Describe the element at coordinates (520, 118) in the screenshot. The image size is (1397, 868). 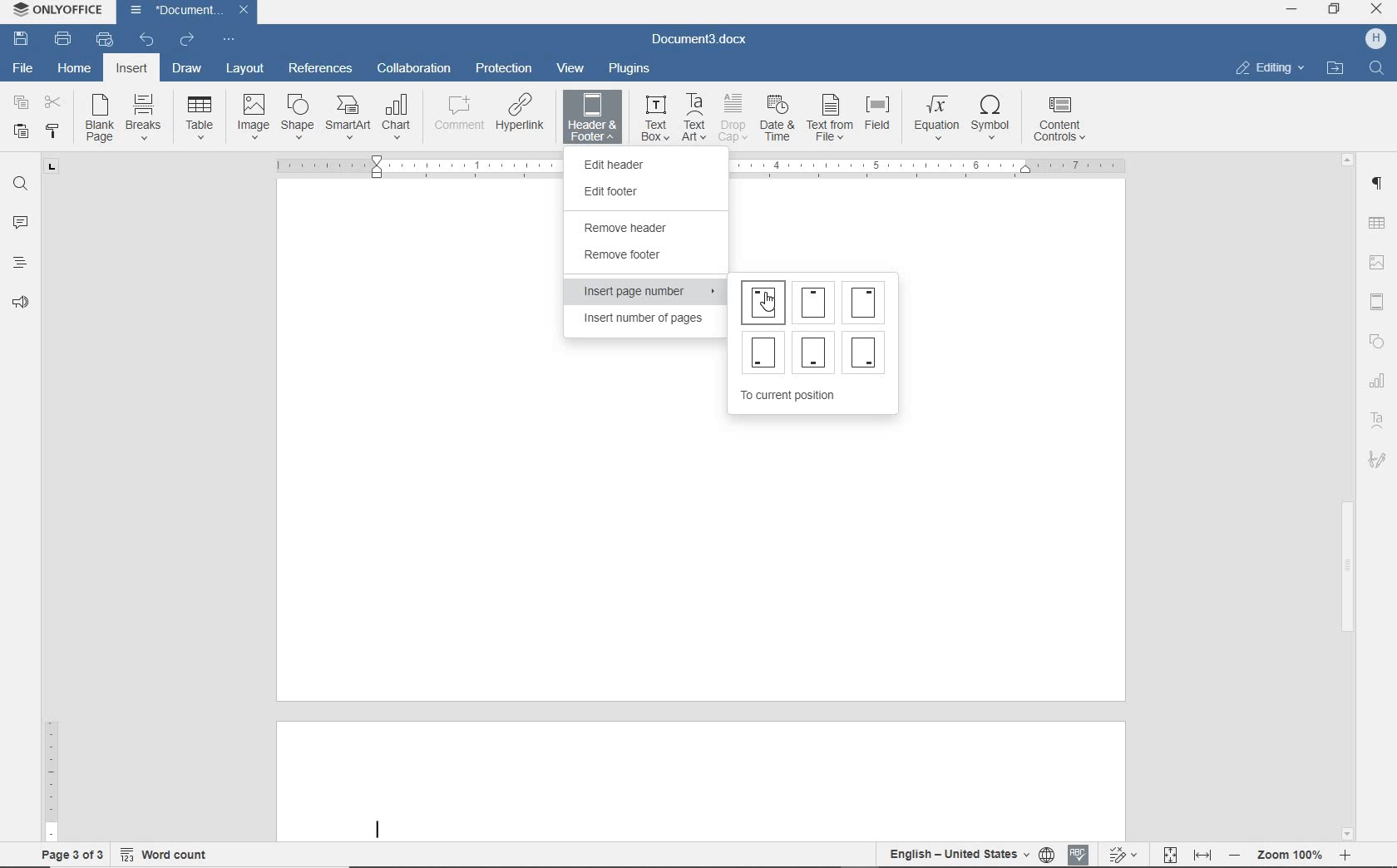
I see `HYPERLINK` at that location.